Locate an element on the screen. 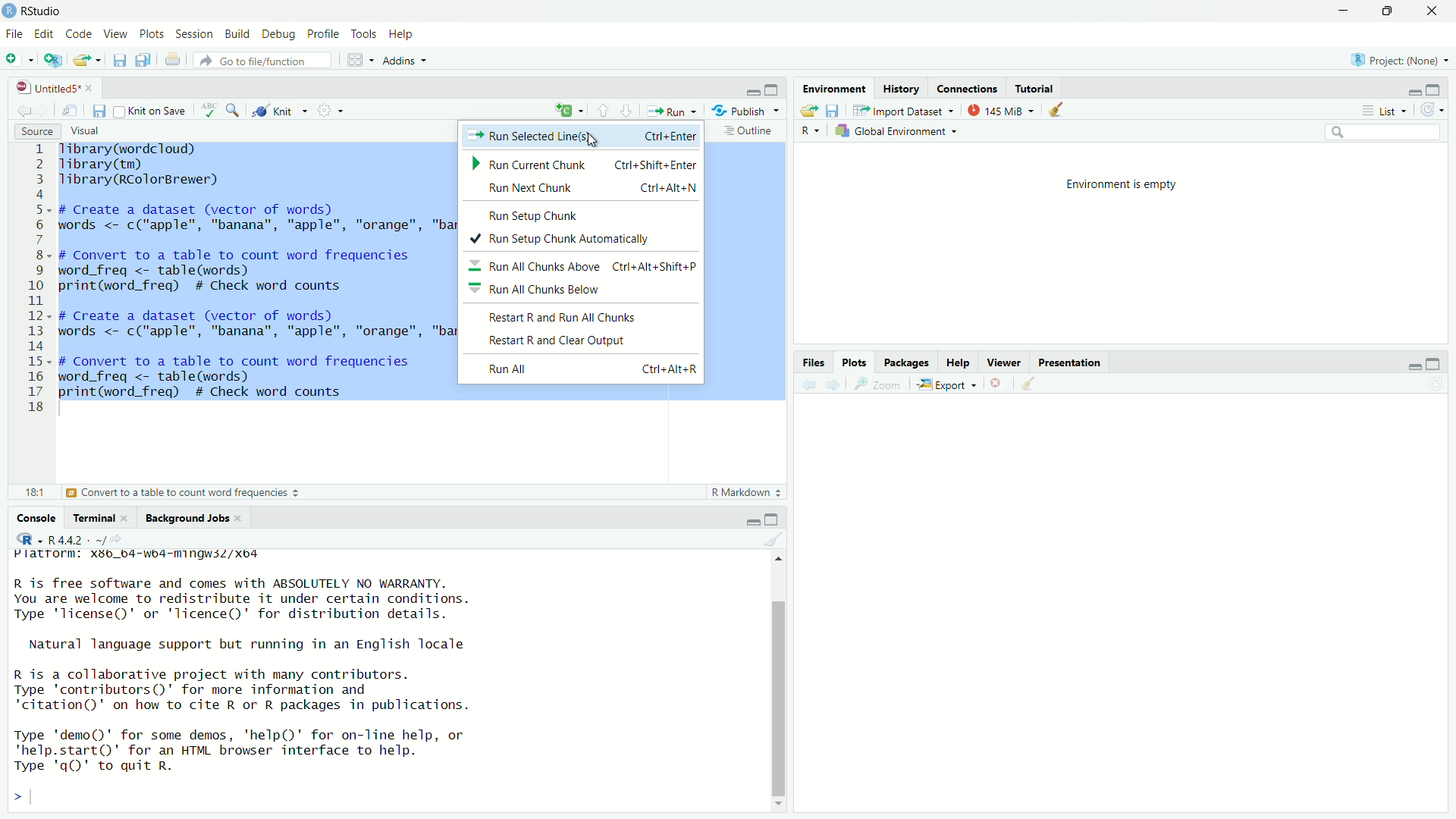 The width and height of the screenshot is (1456, 819). Close is located at coordinates (1428, 14).